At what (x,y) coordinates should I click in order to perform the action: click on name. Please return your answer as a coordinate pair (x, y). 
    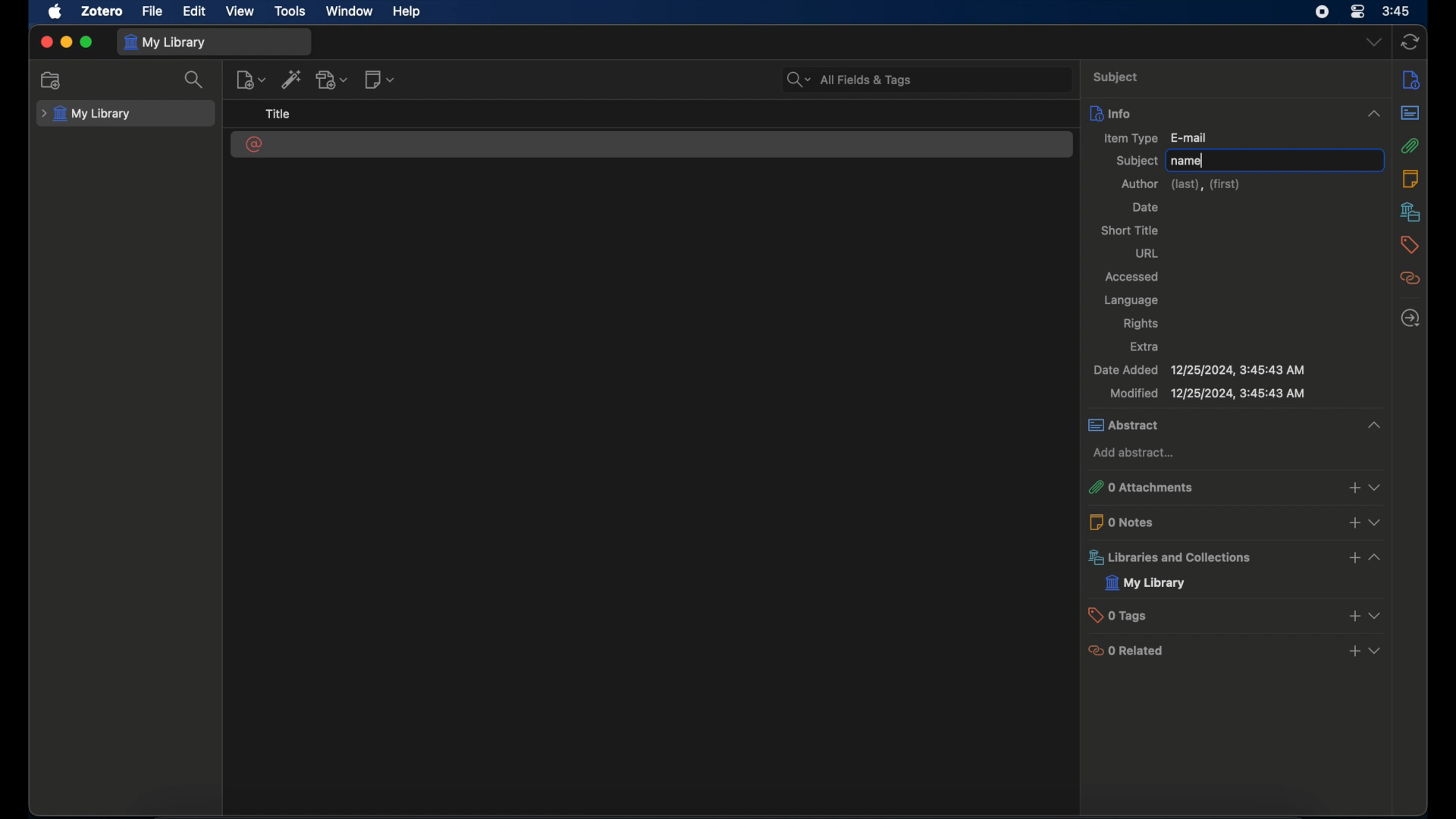
    Looking at the image, I should click on (1188, 162).